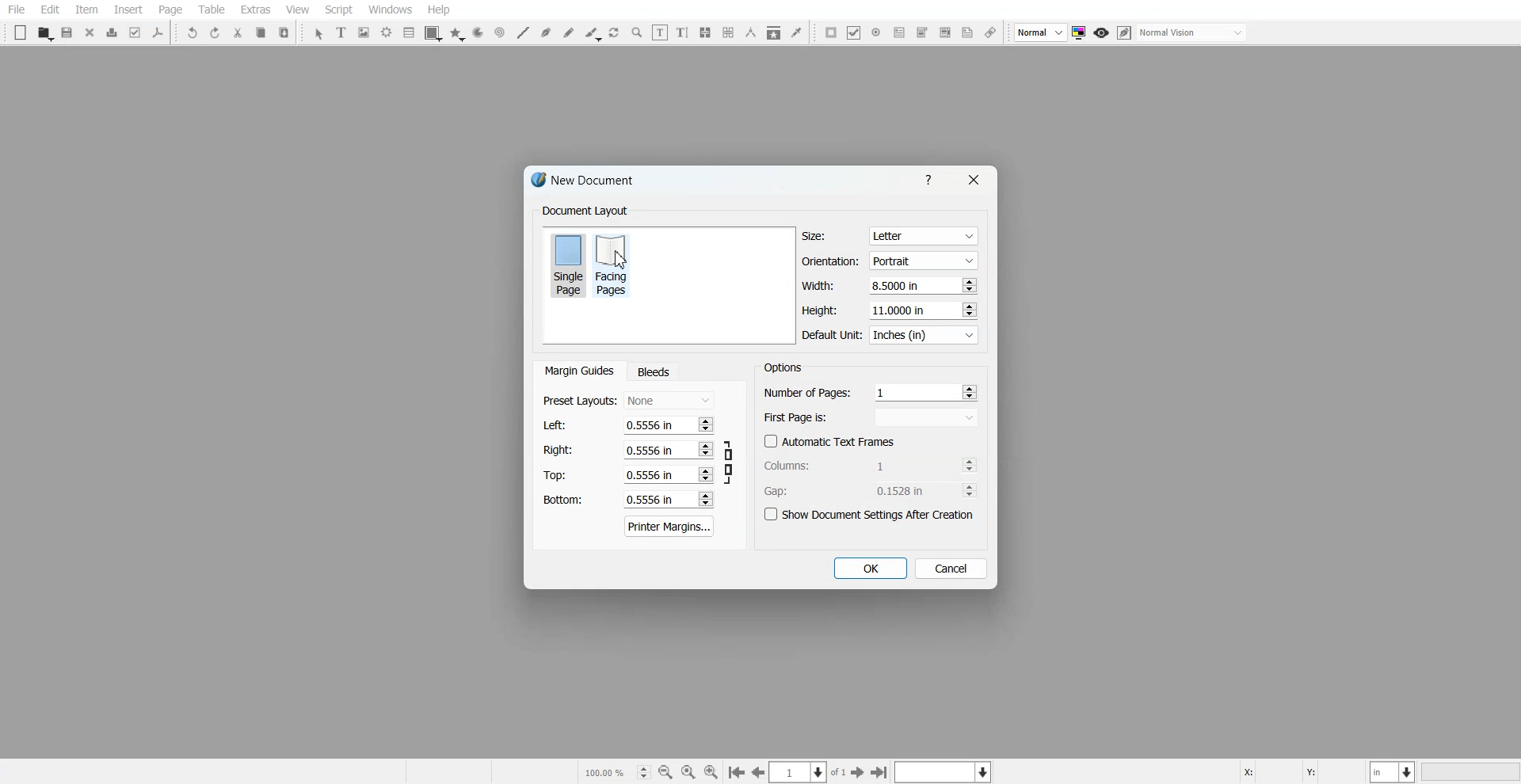  Describe the element at coordinates (904, 465) in the screenshot. I see `1` at that location.